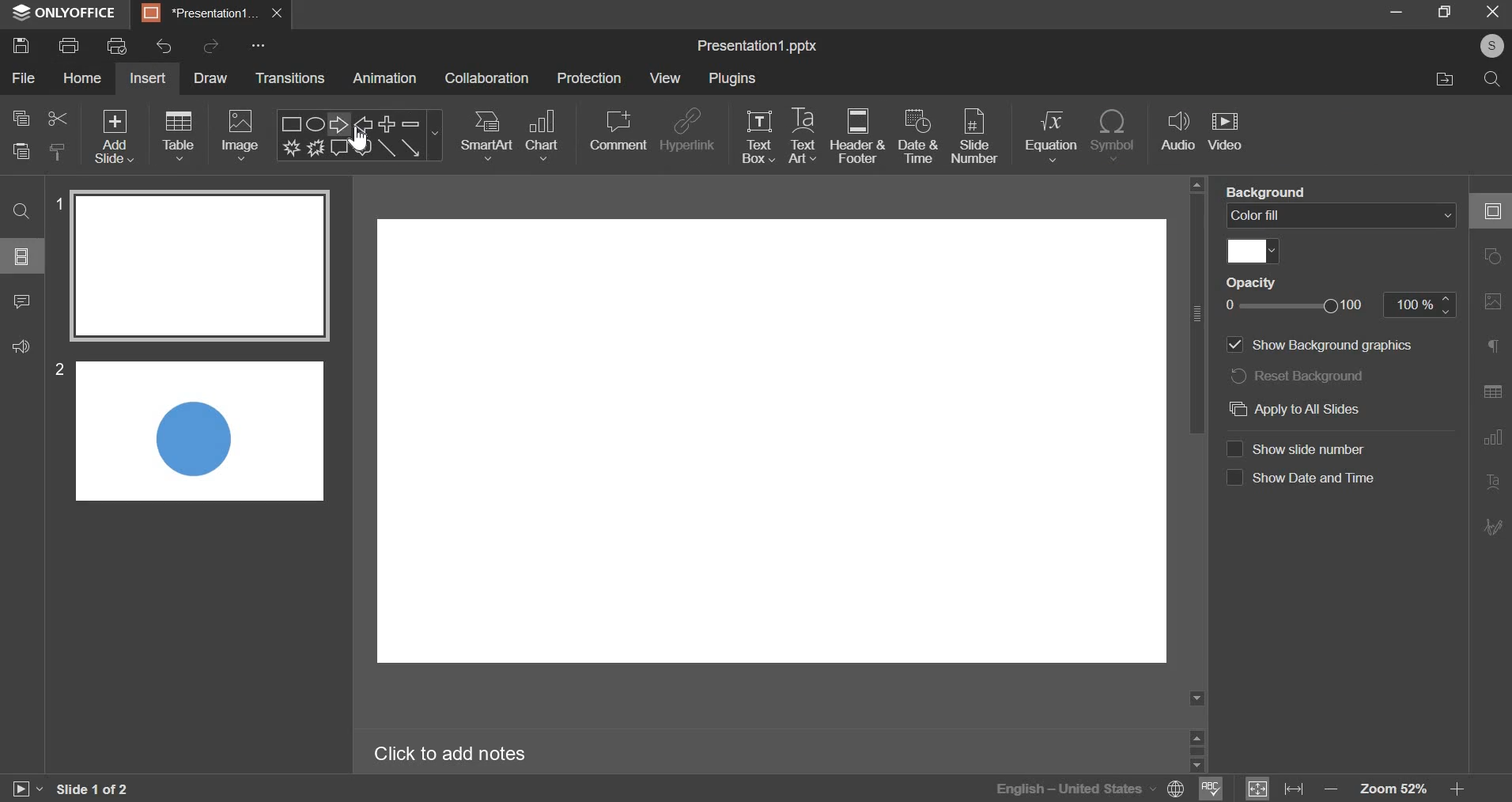 This screenshot has height=802, width=1512. I want to click on vertical scrollbar, so click(1197, 316).